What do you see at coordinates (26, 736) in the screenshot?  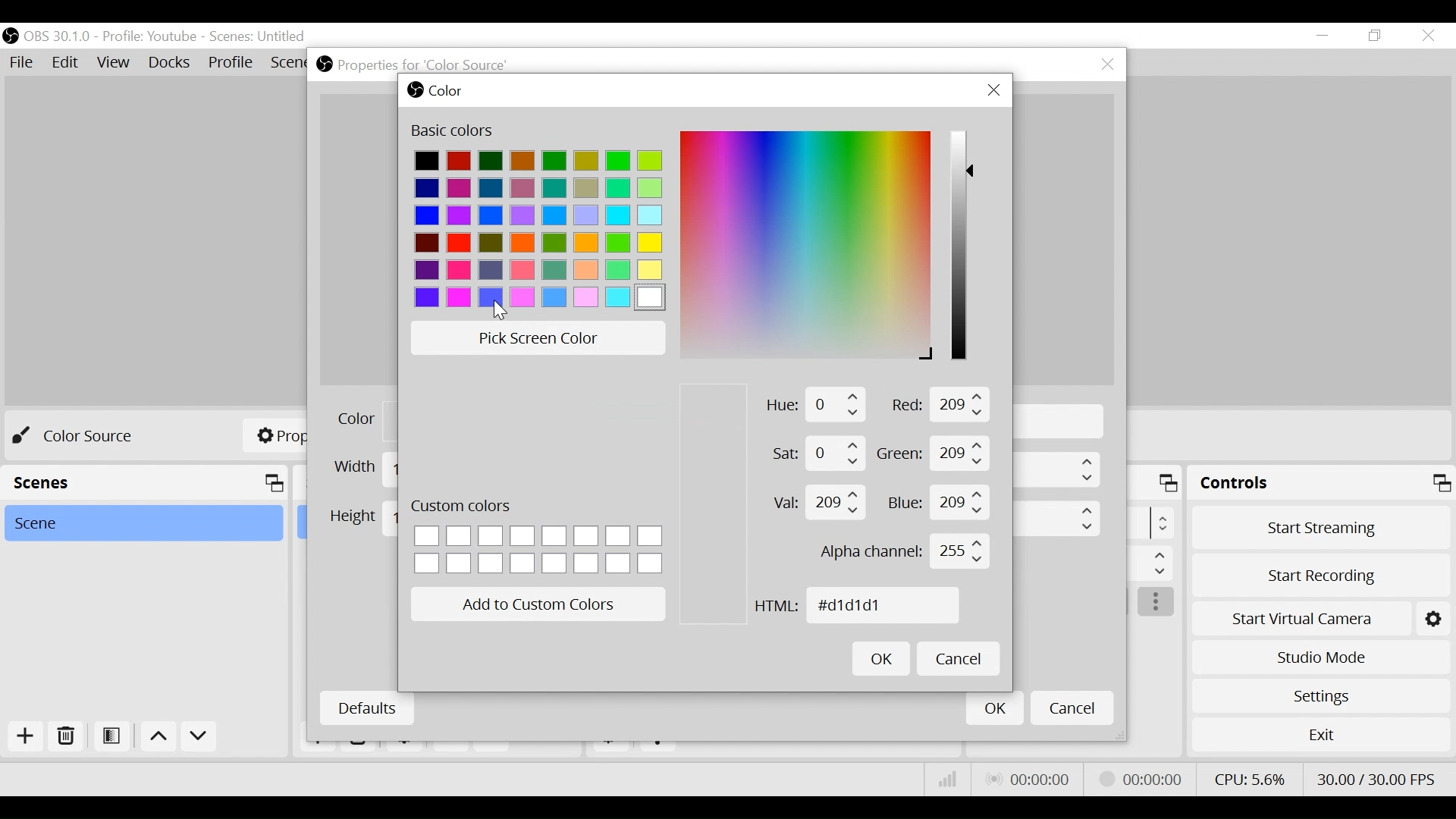 I see `Add` at bounding box center [26, 736].